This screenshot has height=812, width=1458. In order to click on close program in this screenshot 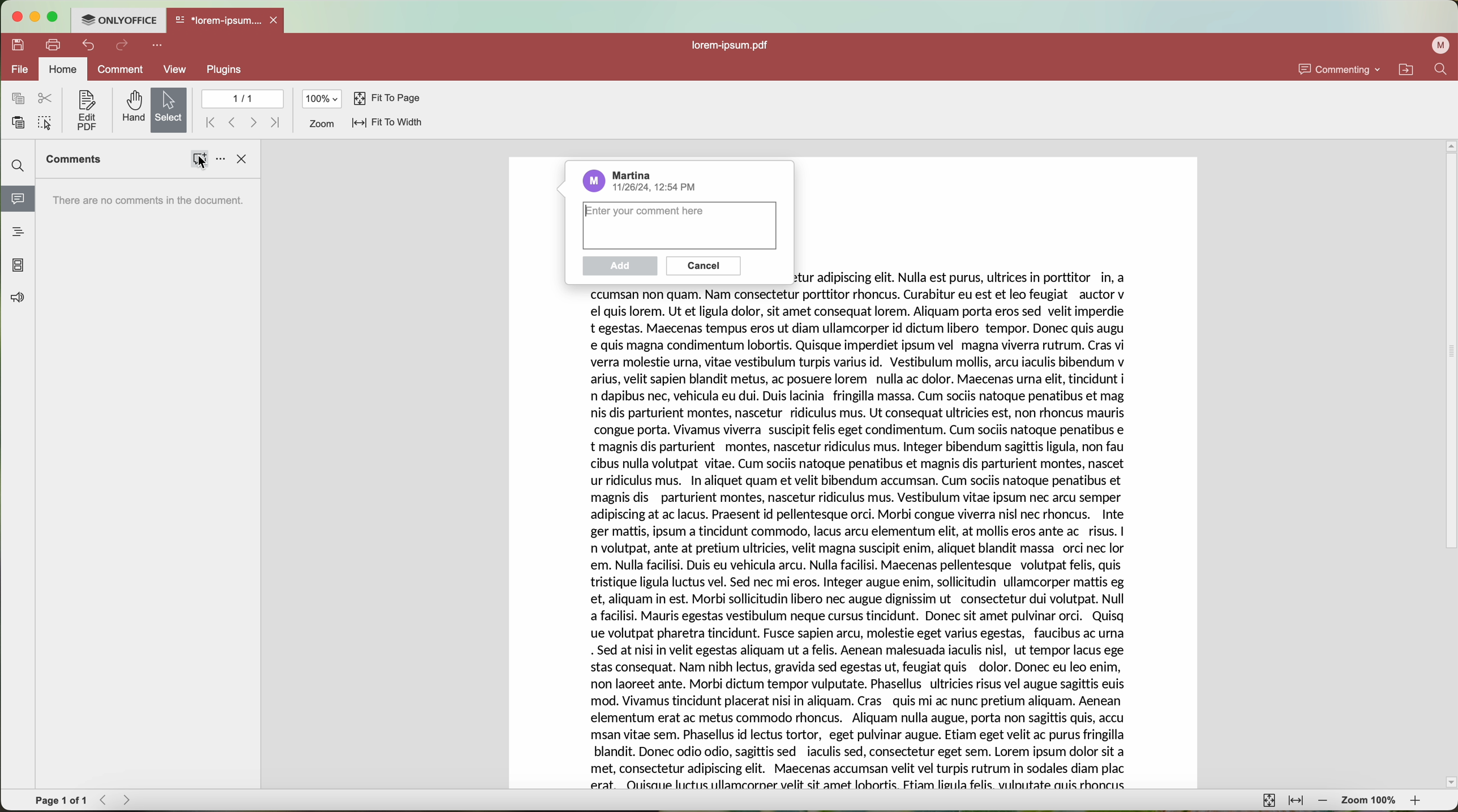, I will do `click(15, 18)`.